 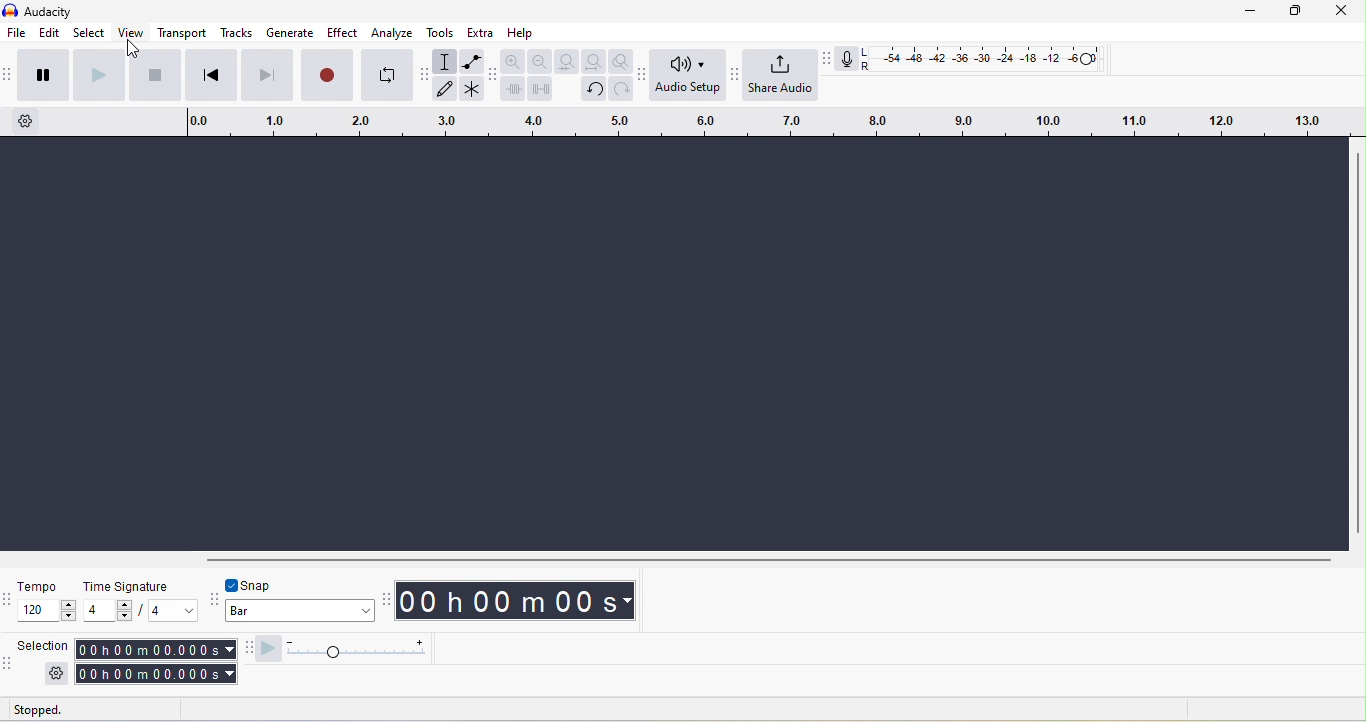 I want to click on selection toolbar, so click(x=8, y=668).